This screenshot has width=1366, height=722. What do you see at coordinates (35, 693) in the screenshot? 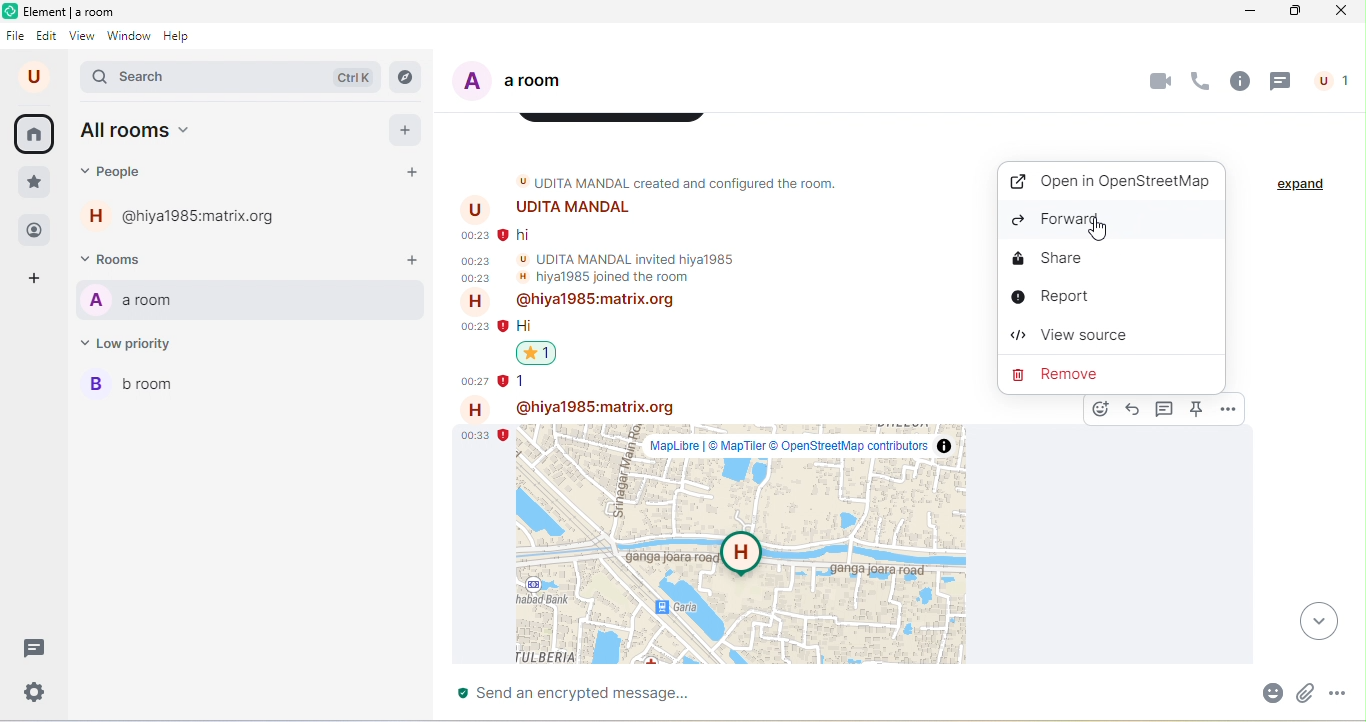
I see `quick settings` at bounding box center [35, 693].